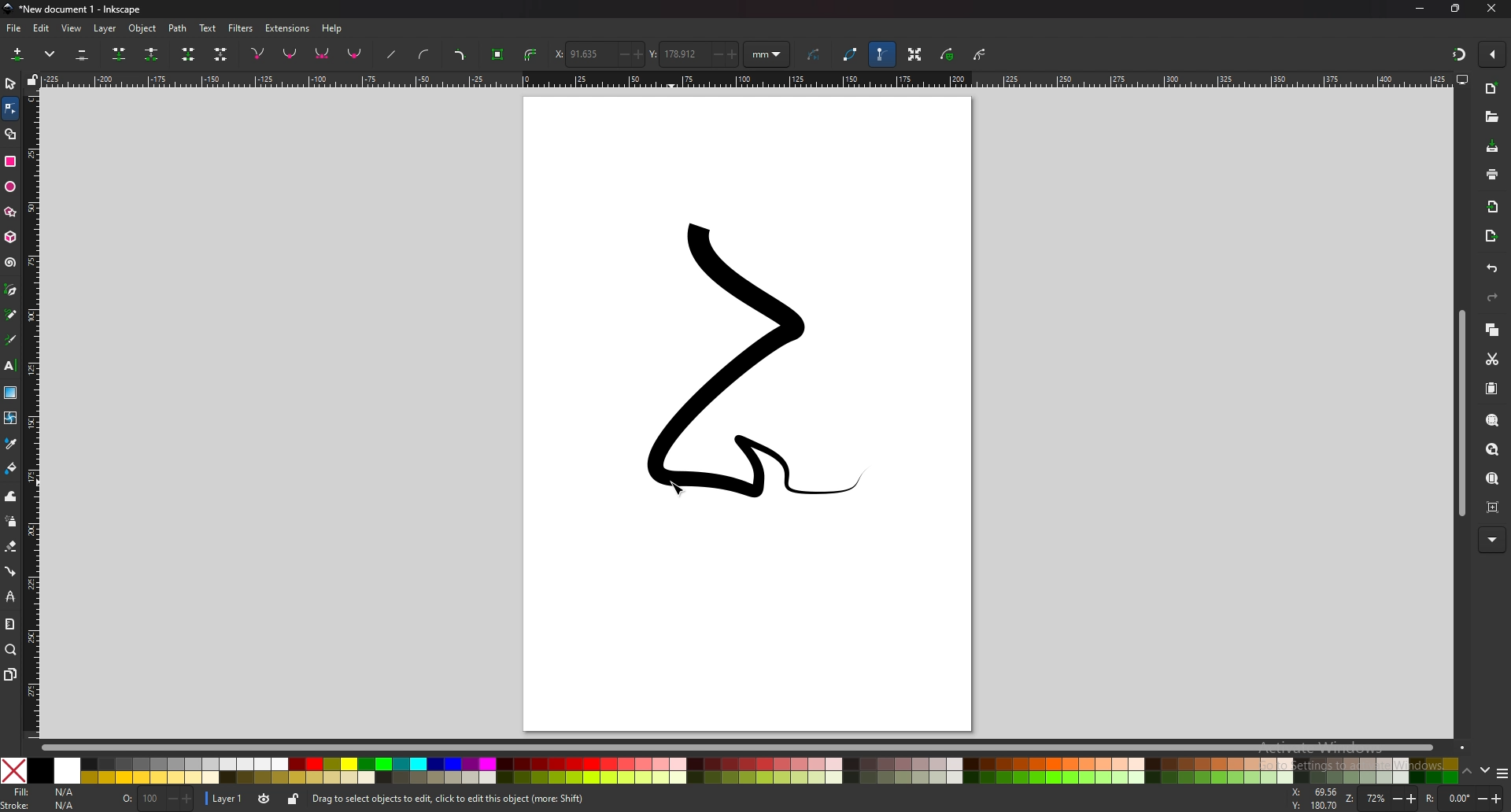  Describe the element at coordinates (9, 212) in the screenshot. I see `stars and polygons` at that location.